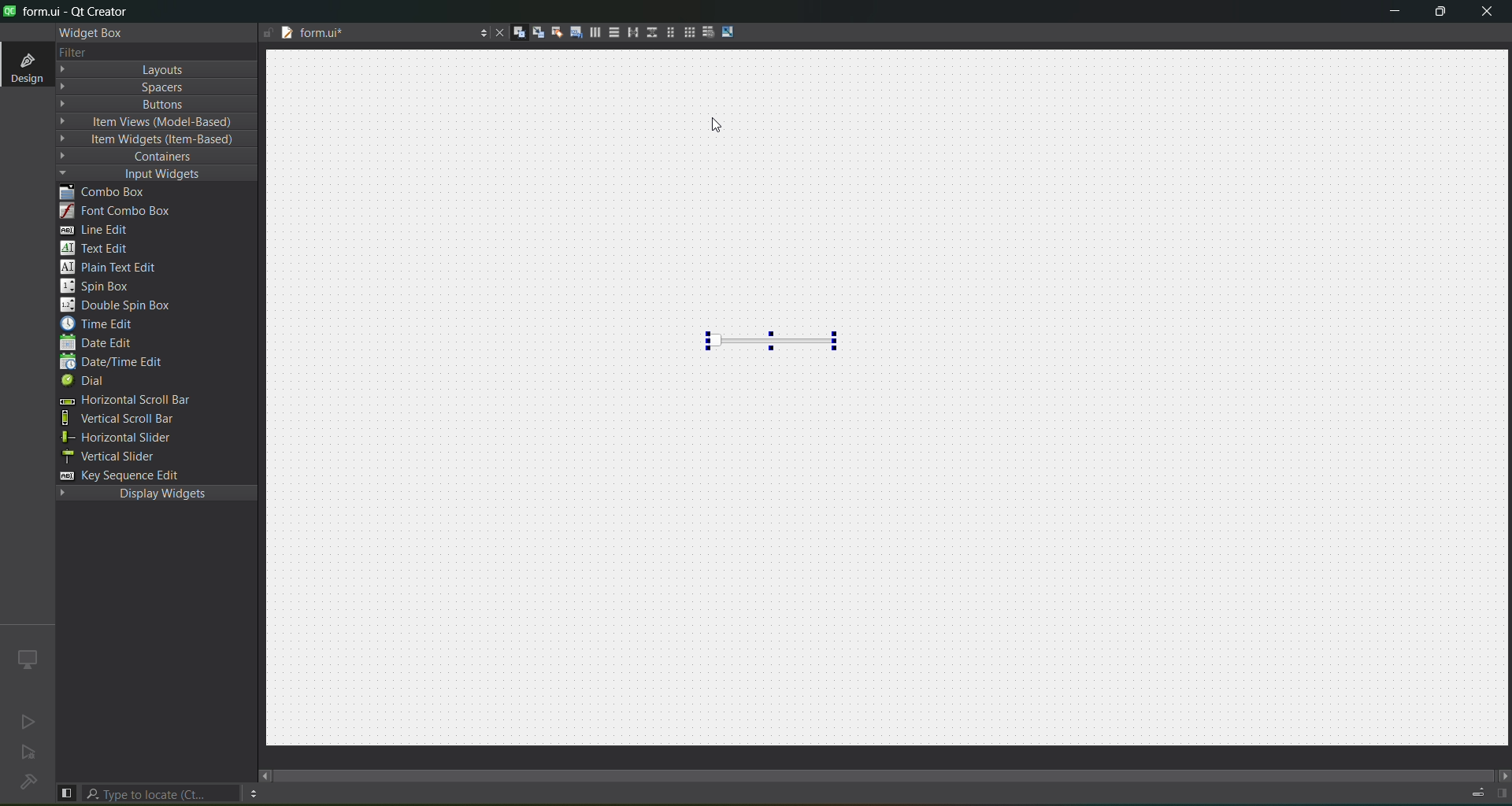 The height and width of the screenshot is (806, 1512). Describe the element at coordinates (512, 33) in the screenshot. I see `widgets` at that location.